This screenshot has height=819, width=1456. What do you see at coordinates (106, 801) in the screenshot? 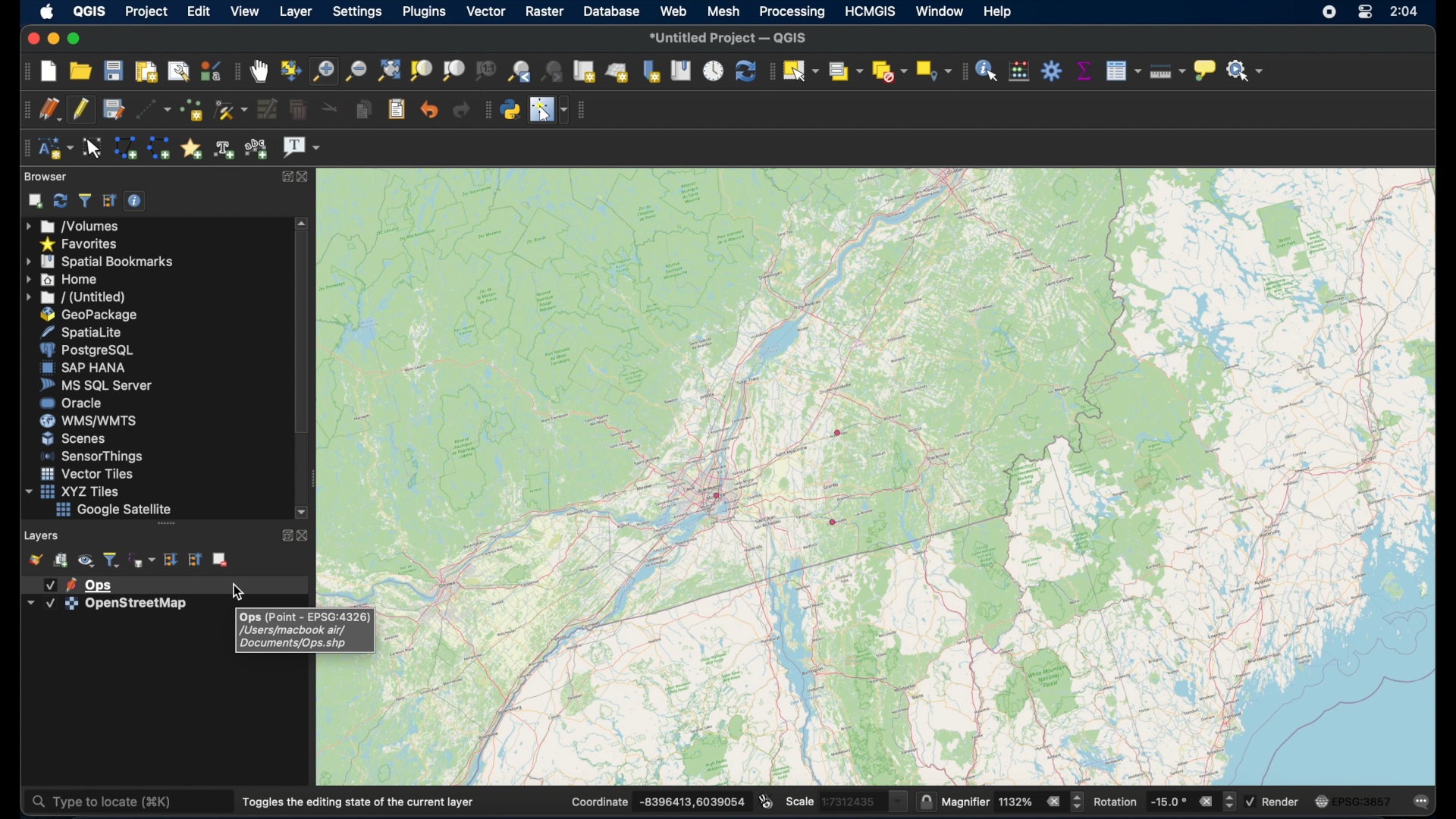
I see `type to locate` at bounding box center [106, 801].